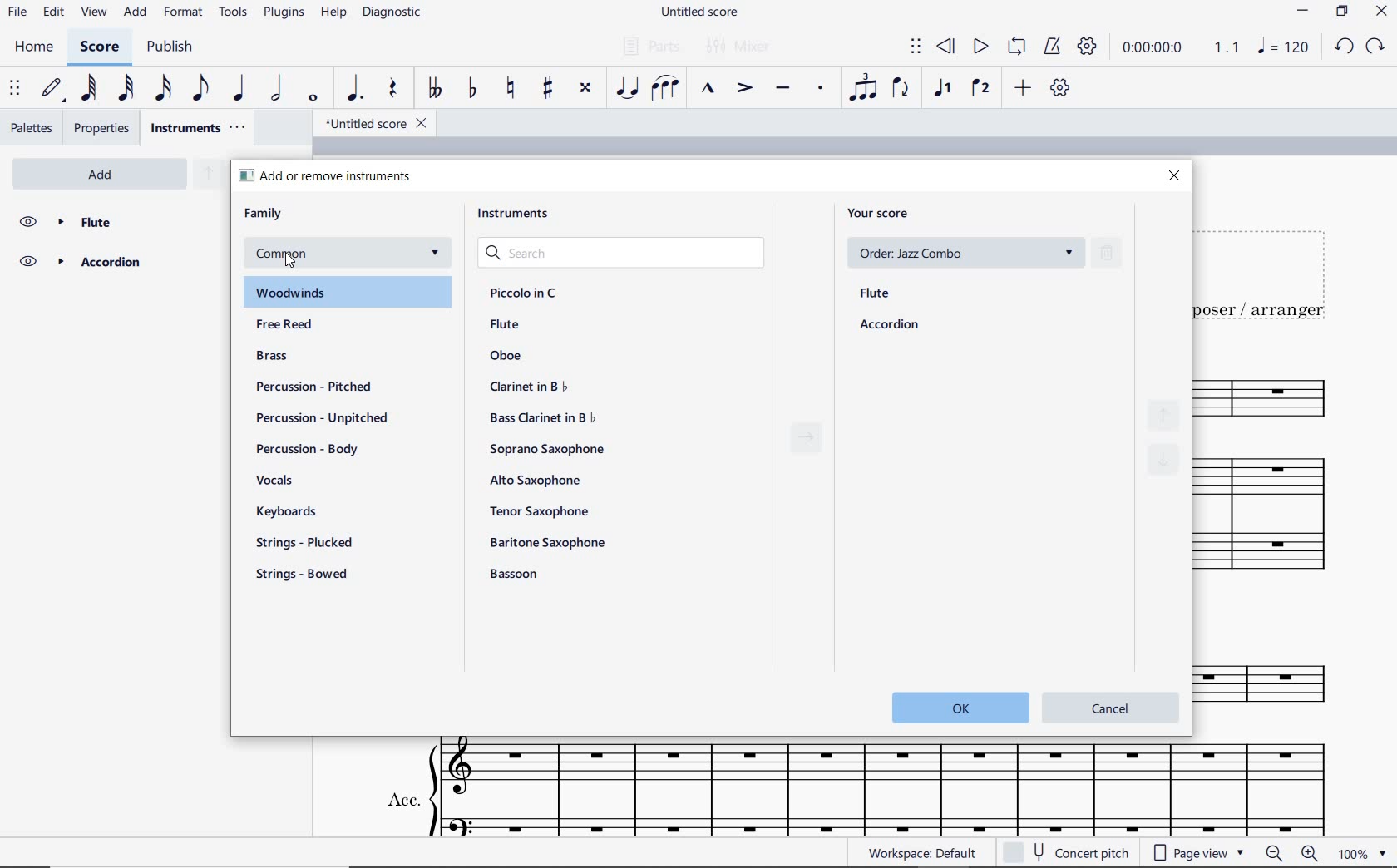 This screenshot has width=1397, height=868. Describe the element at coordinates (1350, 855) in the screenshot. I see `zoom factor` at that location.